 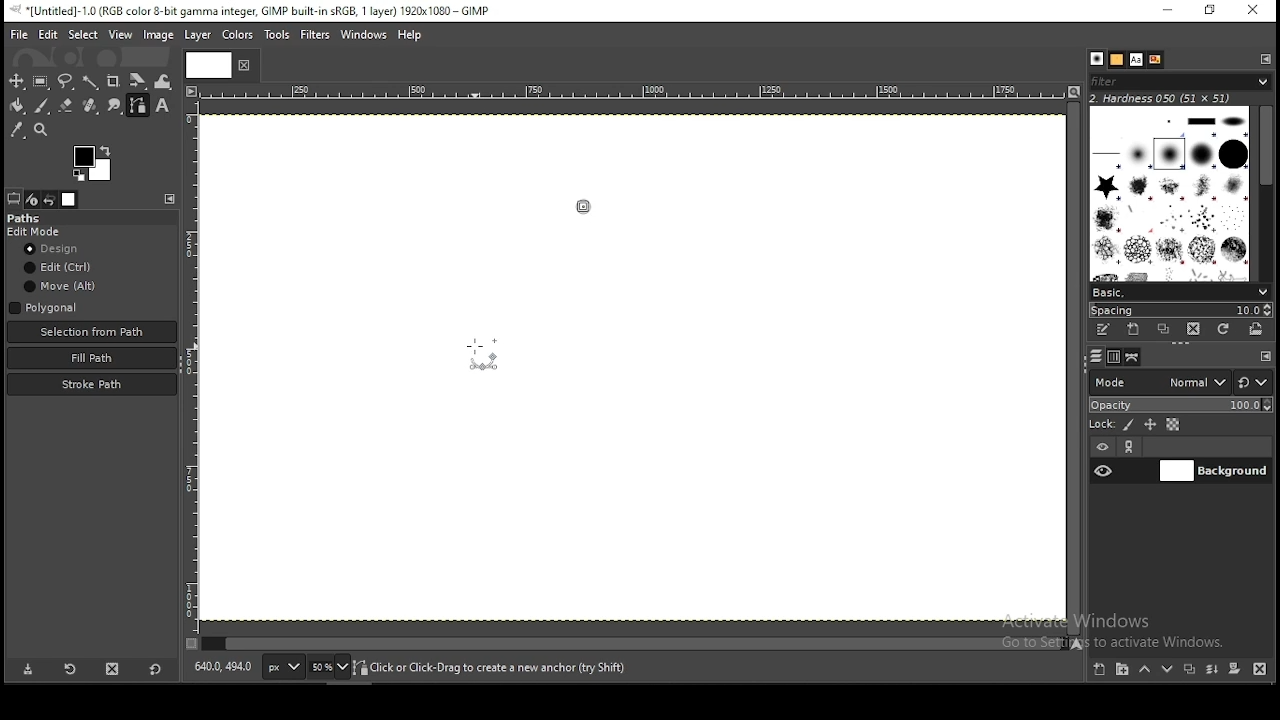 What do you see at coordinates (1147, 671) in the screenshot?
I see `move layer one step up` at bounding box center [1147, 671].